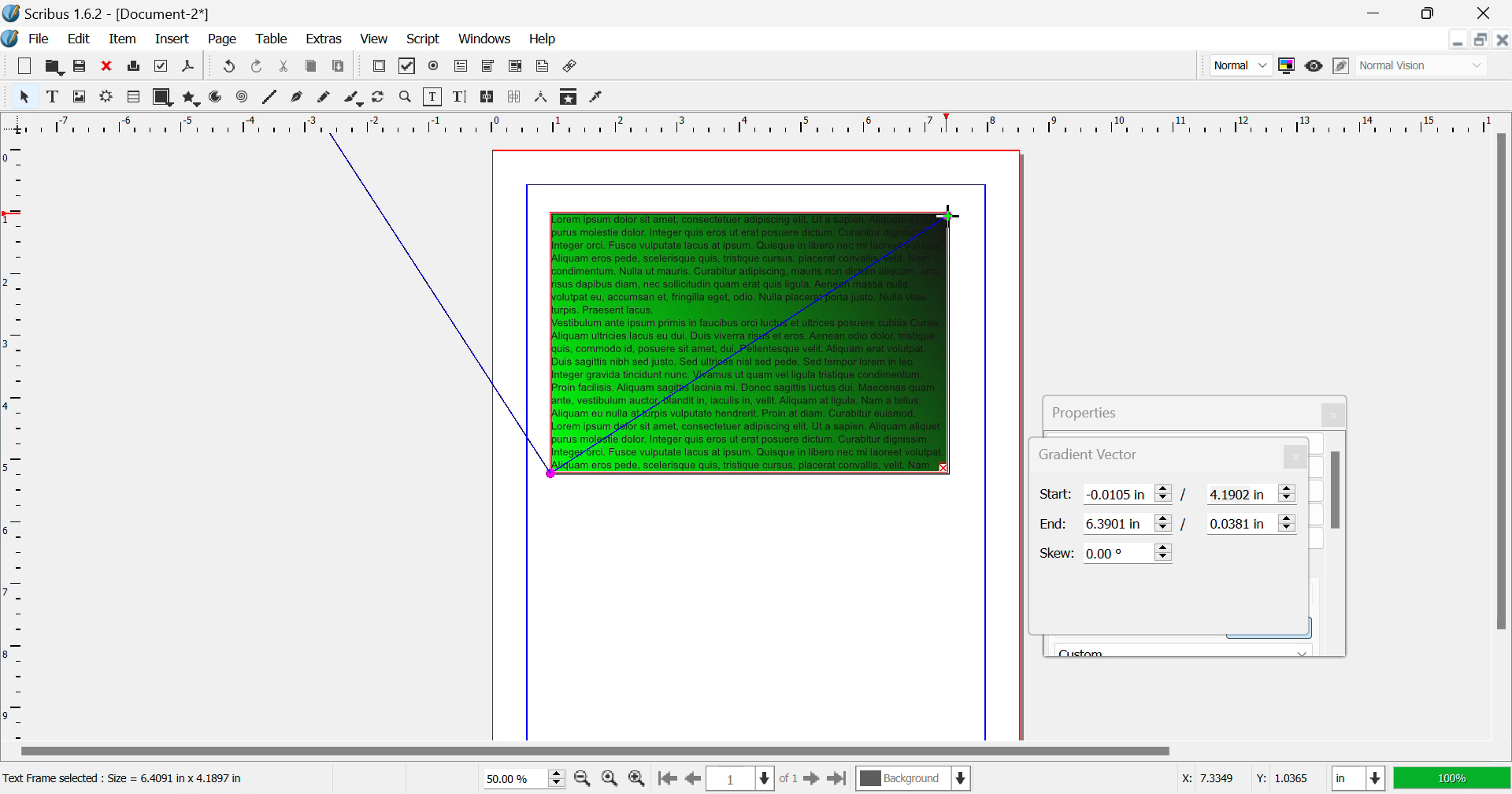 The width and height of the screenshot is (1512, 794). What do you see at coordinates (273, 40) in the screenshot?
I see `Table` at bounding box center [273, 40].